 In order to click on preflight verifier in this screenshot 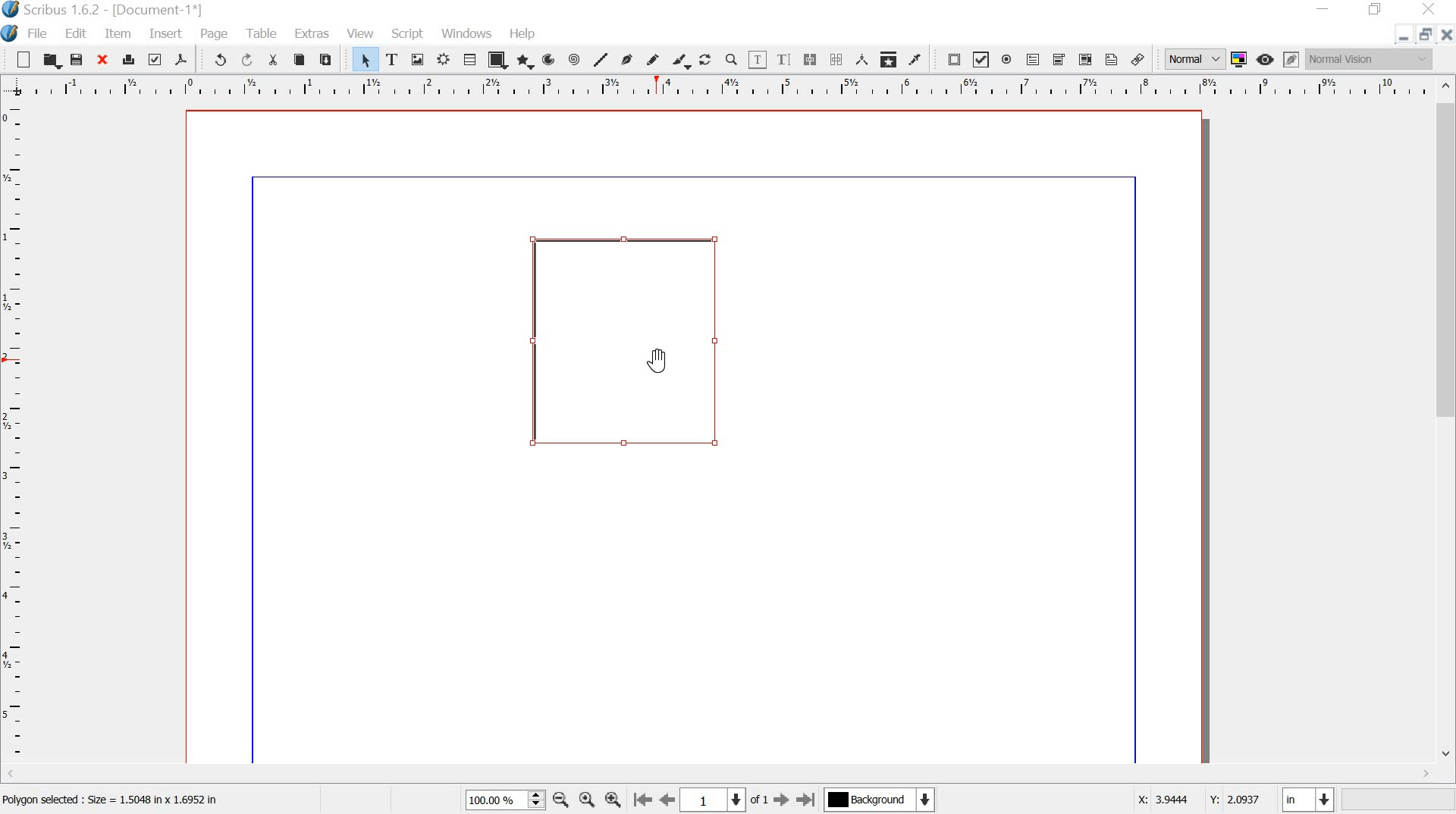, I will do `click(156, 61)`.